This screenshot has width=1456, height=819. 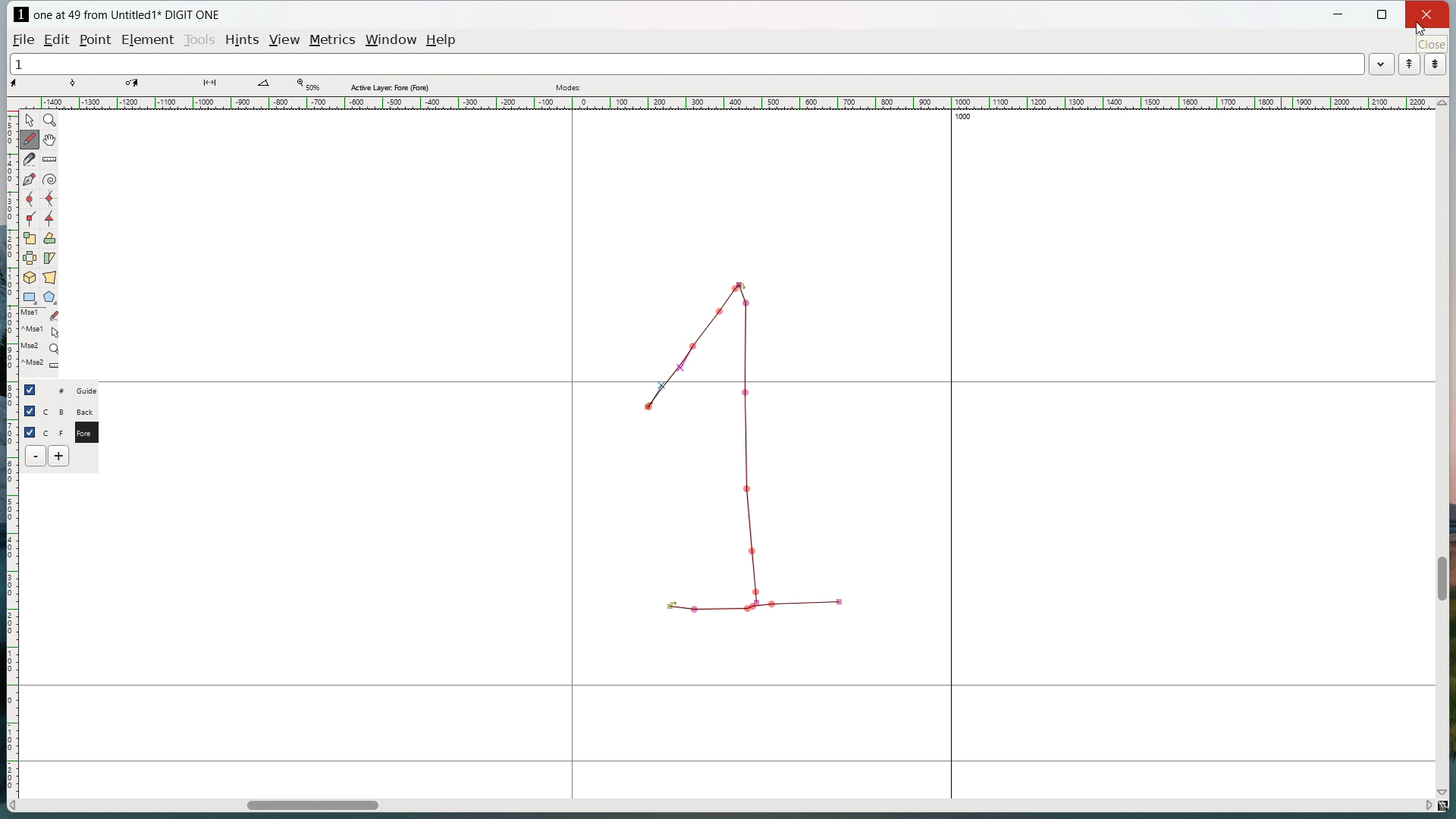 I want to click on one at 49 from Untitled1 DIGIT ONE, so click(x=126, y=15).